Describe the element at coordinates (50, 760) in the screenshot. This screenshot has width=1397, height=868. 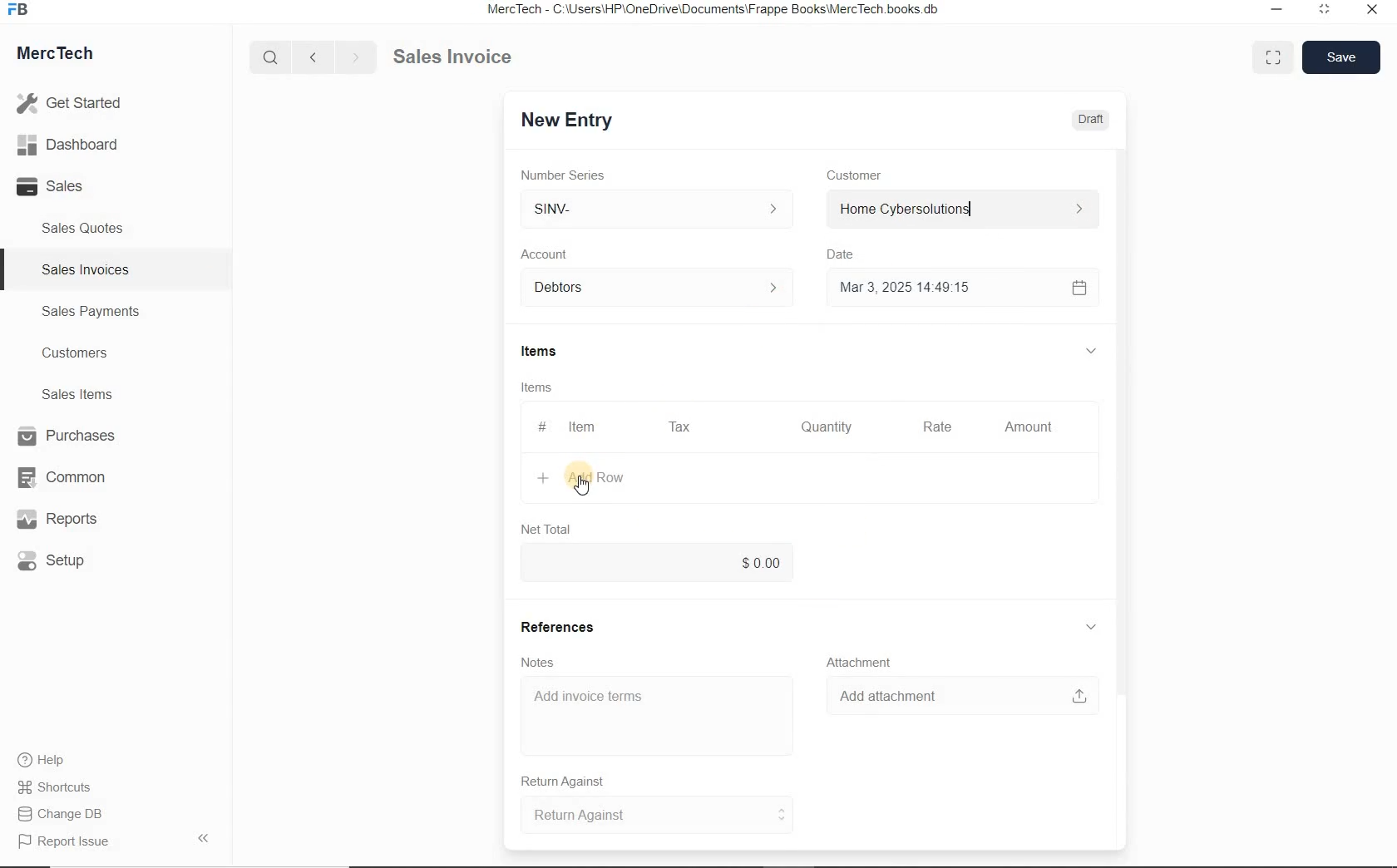
I see `Help` at that location.